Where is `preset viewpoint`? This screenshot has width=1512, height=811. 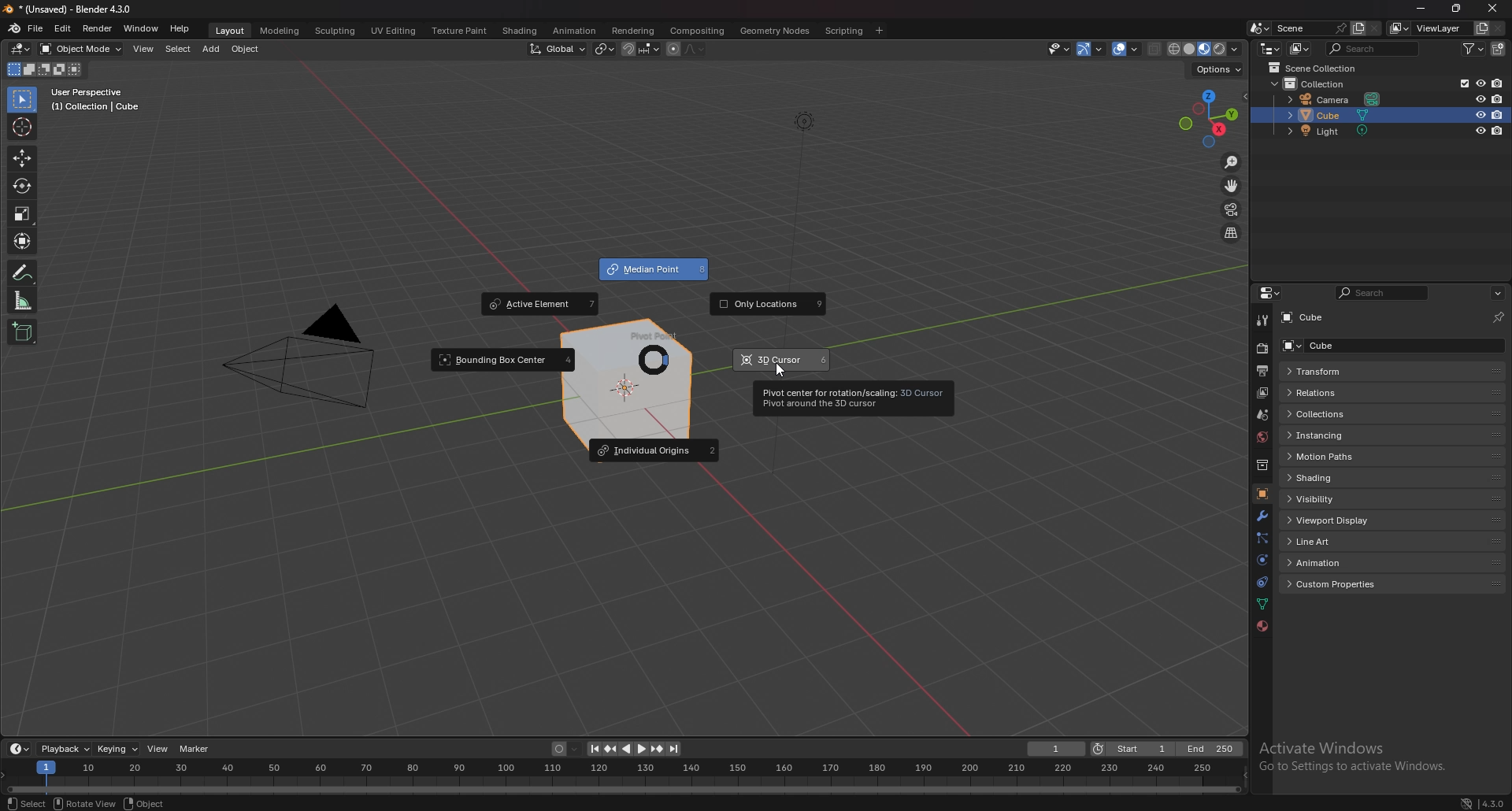
preset viewpoint is located at coordinates (1208, 118).